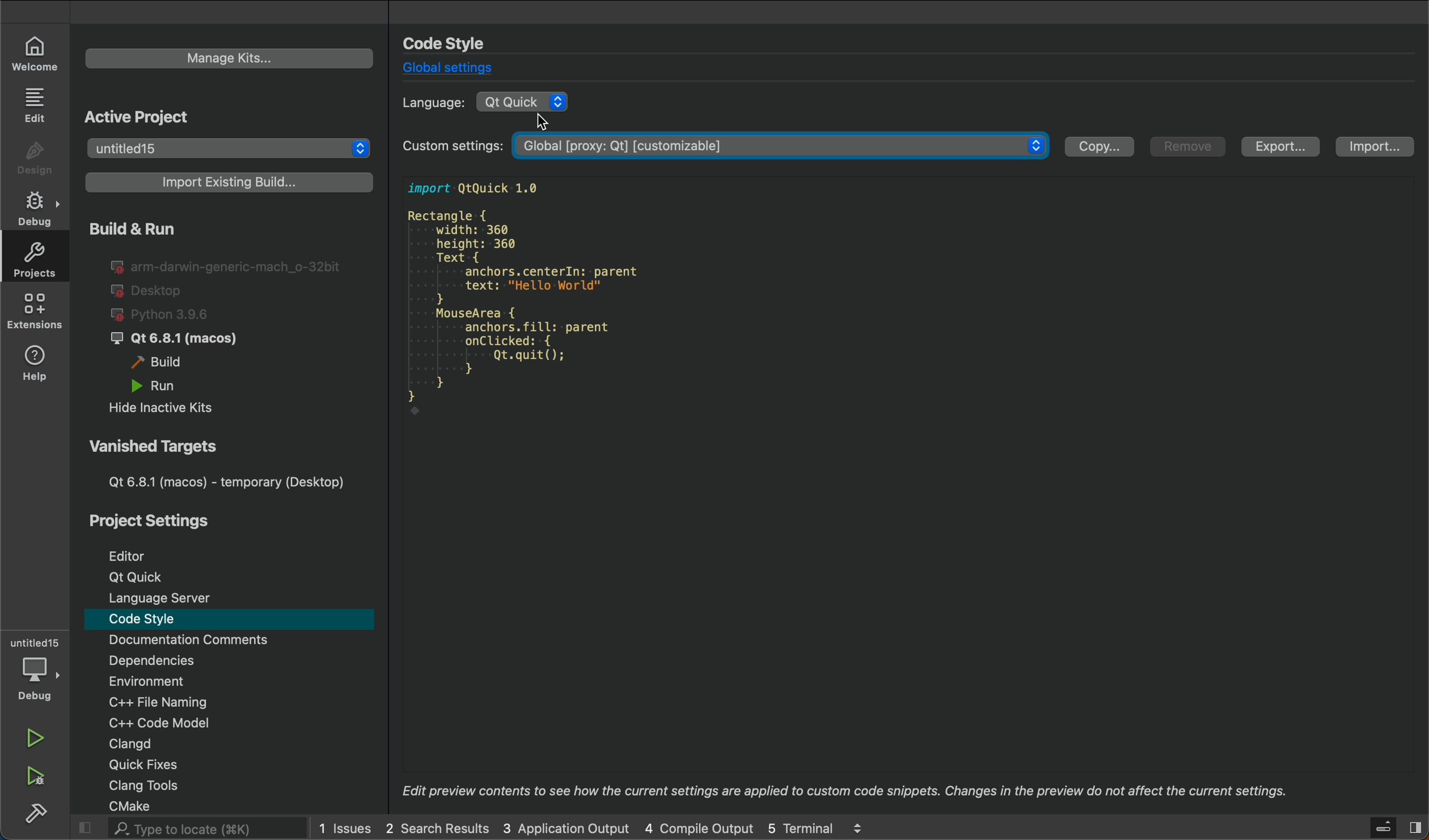 This screenshot has height=840, width=1429. Describe the element at coordinates (200, 642) in the screenshot. I see `` at that location.